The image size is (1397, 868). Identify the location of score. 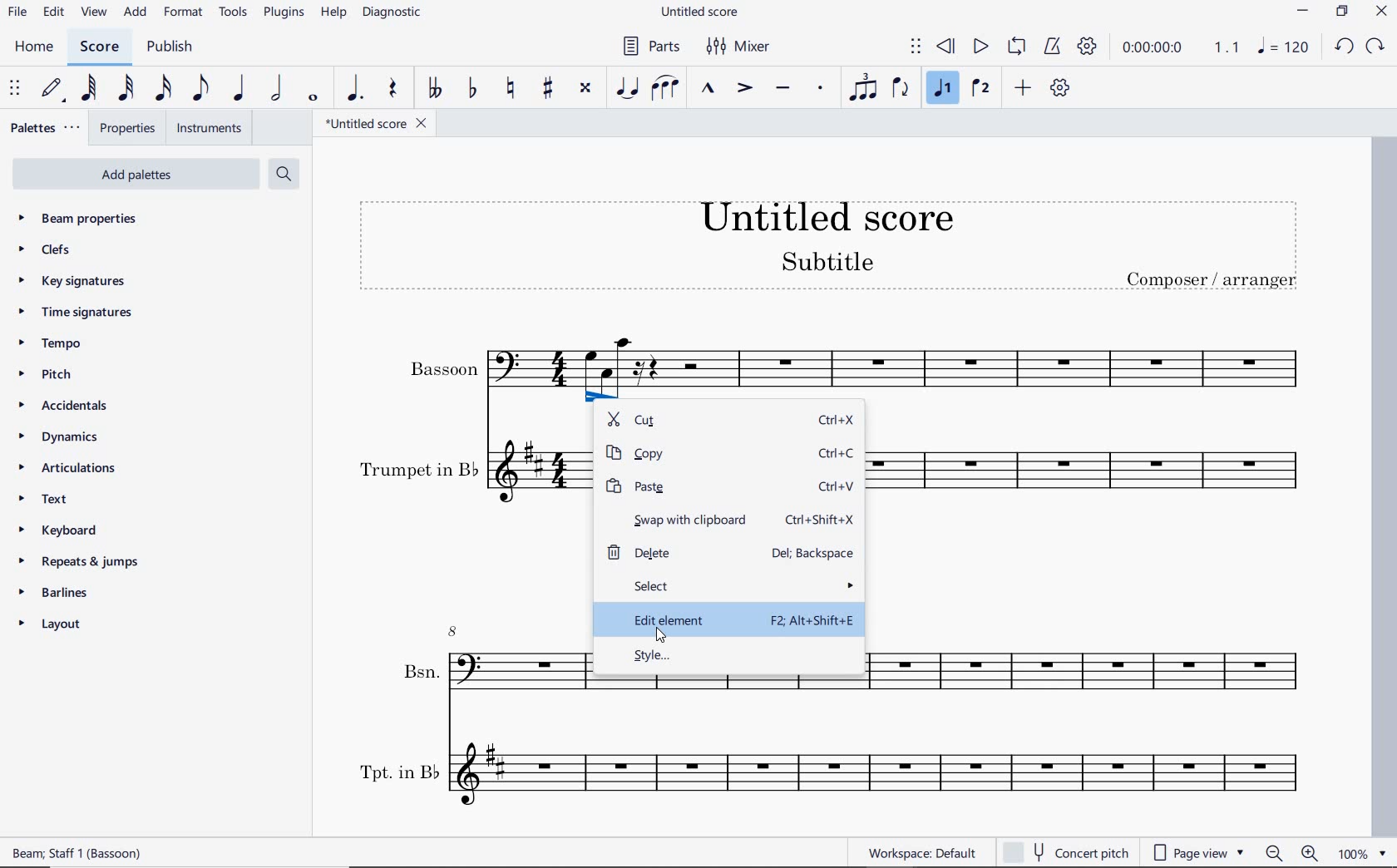
(98, 46).